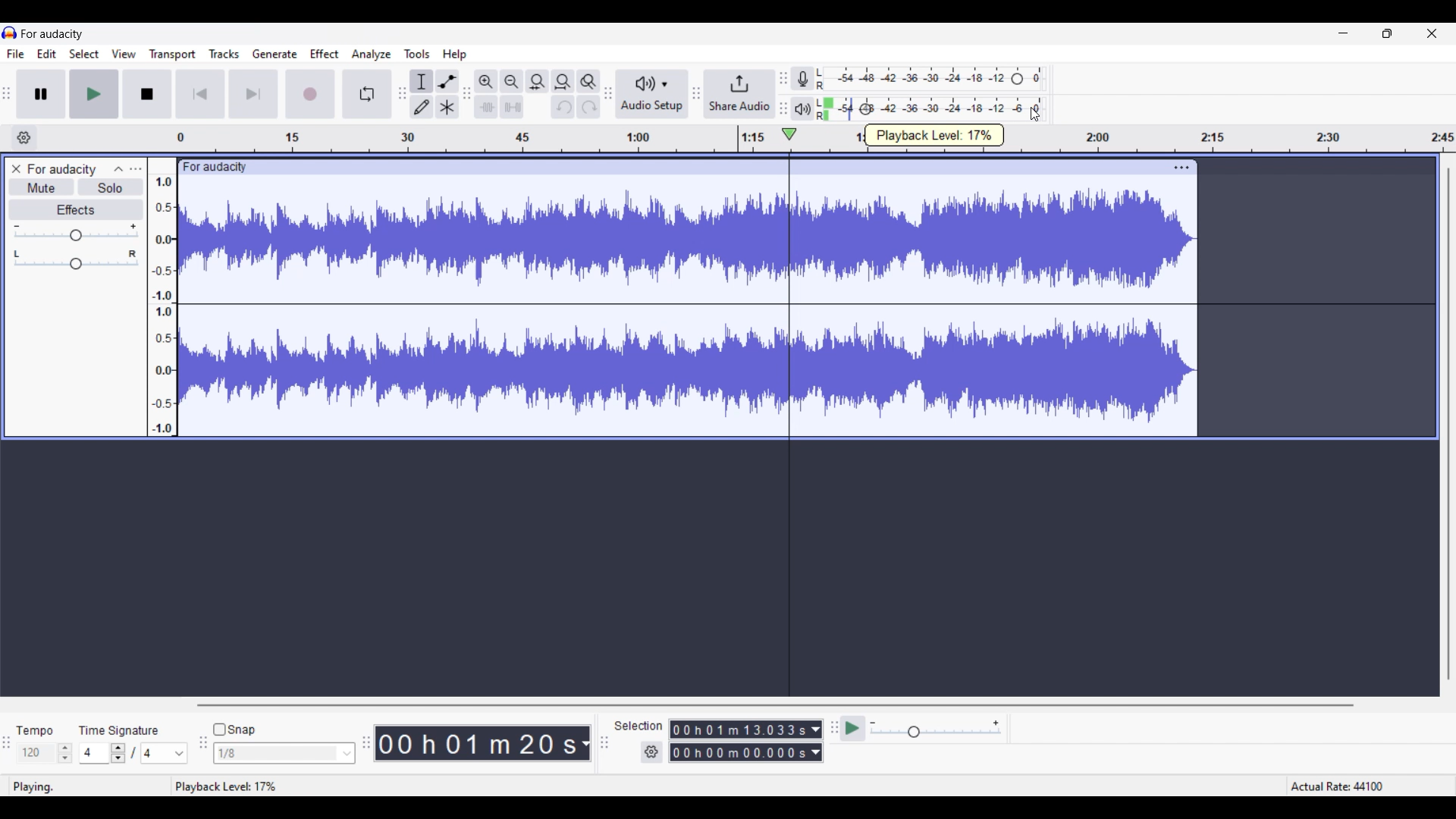 The image size is (1456, 819). What do you see at coordinates (118, 730) in the screenshot?
I see `time signature` at bounding box center [118, 730].